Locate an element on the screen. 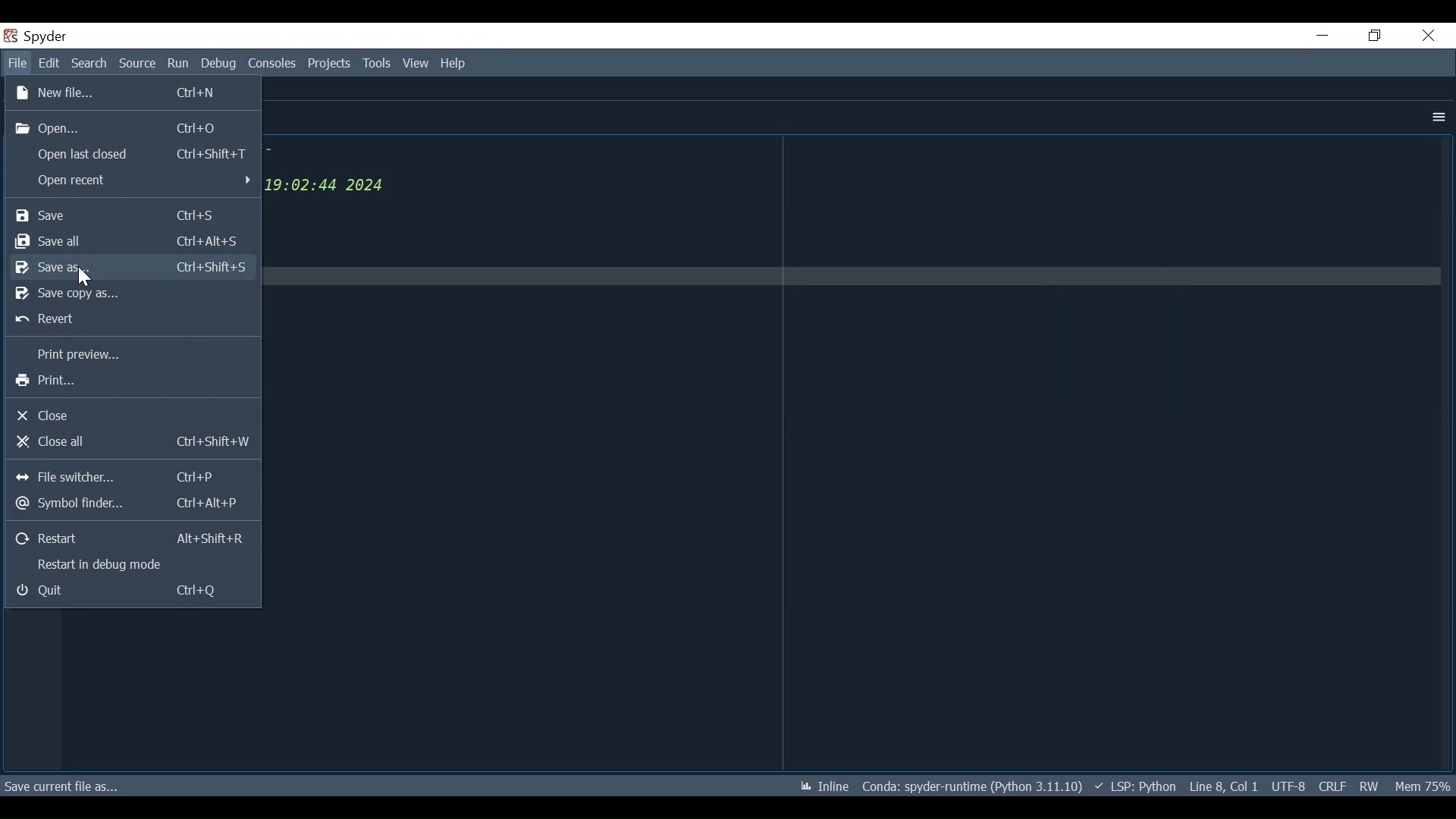 Image resolution: width=1456 pixels, height=819 pixels. Restart in debug mode is located at coordinates (130, 565).